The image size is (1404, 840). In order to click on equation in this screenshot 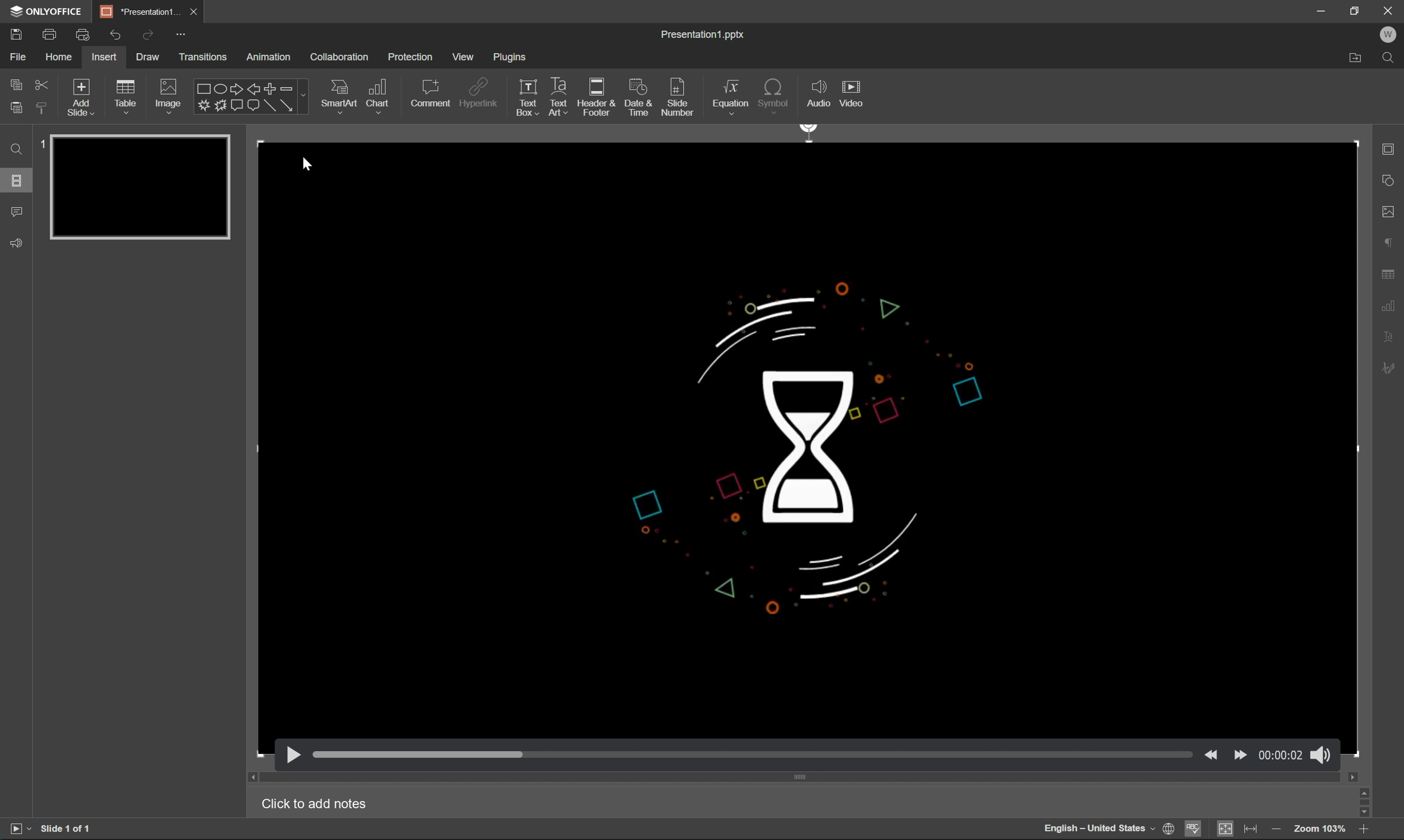, I will do `click(731, 97)`.